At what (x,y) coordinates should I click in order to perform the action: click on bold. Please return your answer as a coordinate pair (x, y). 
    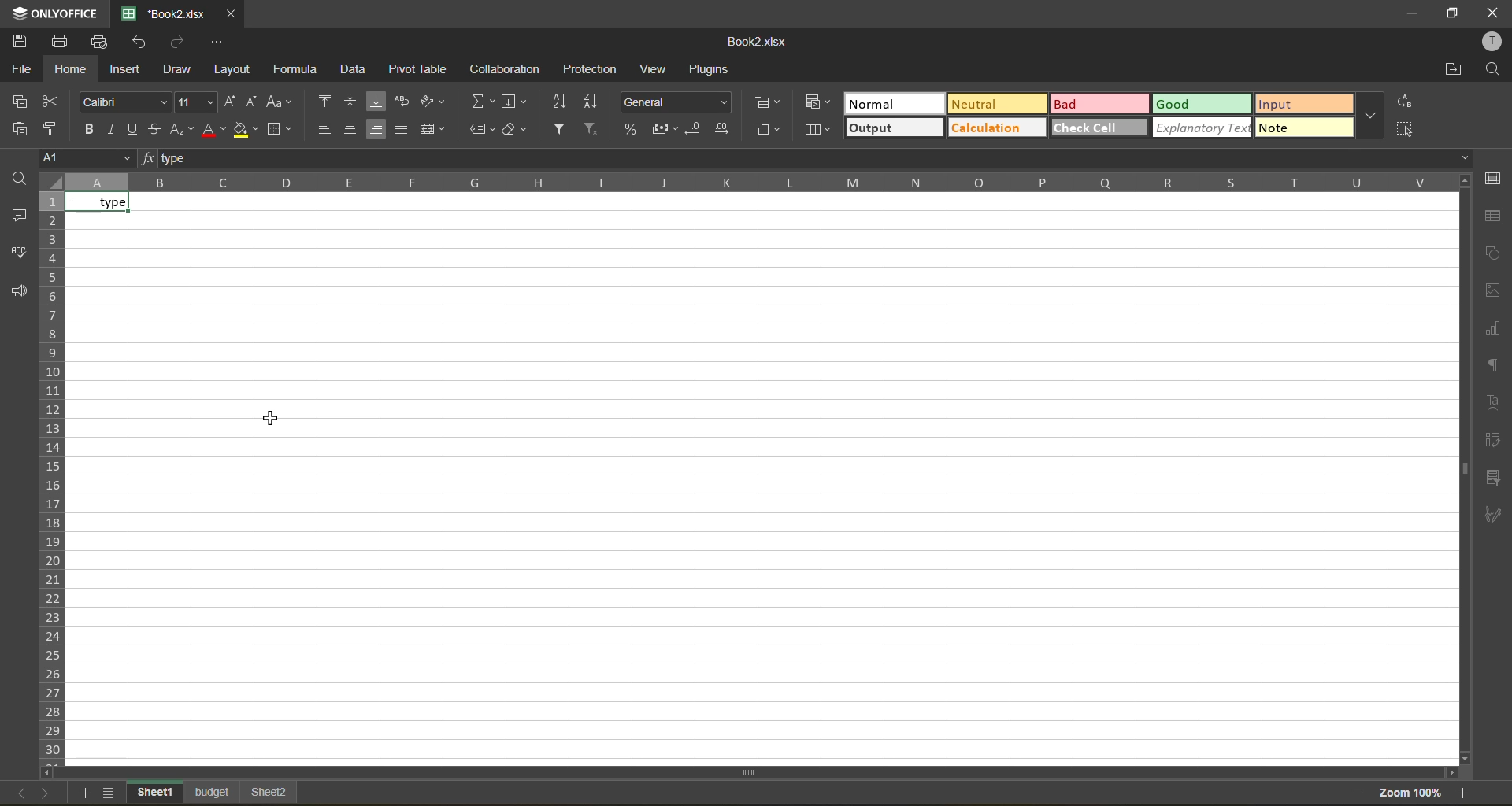
    Looking at the image, I should click on (94, 128).